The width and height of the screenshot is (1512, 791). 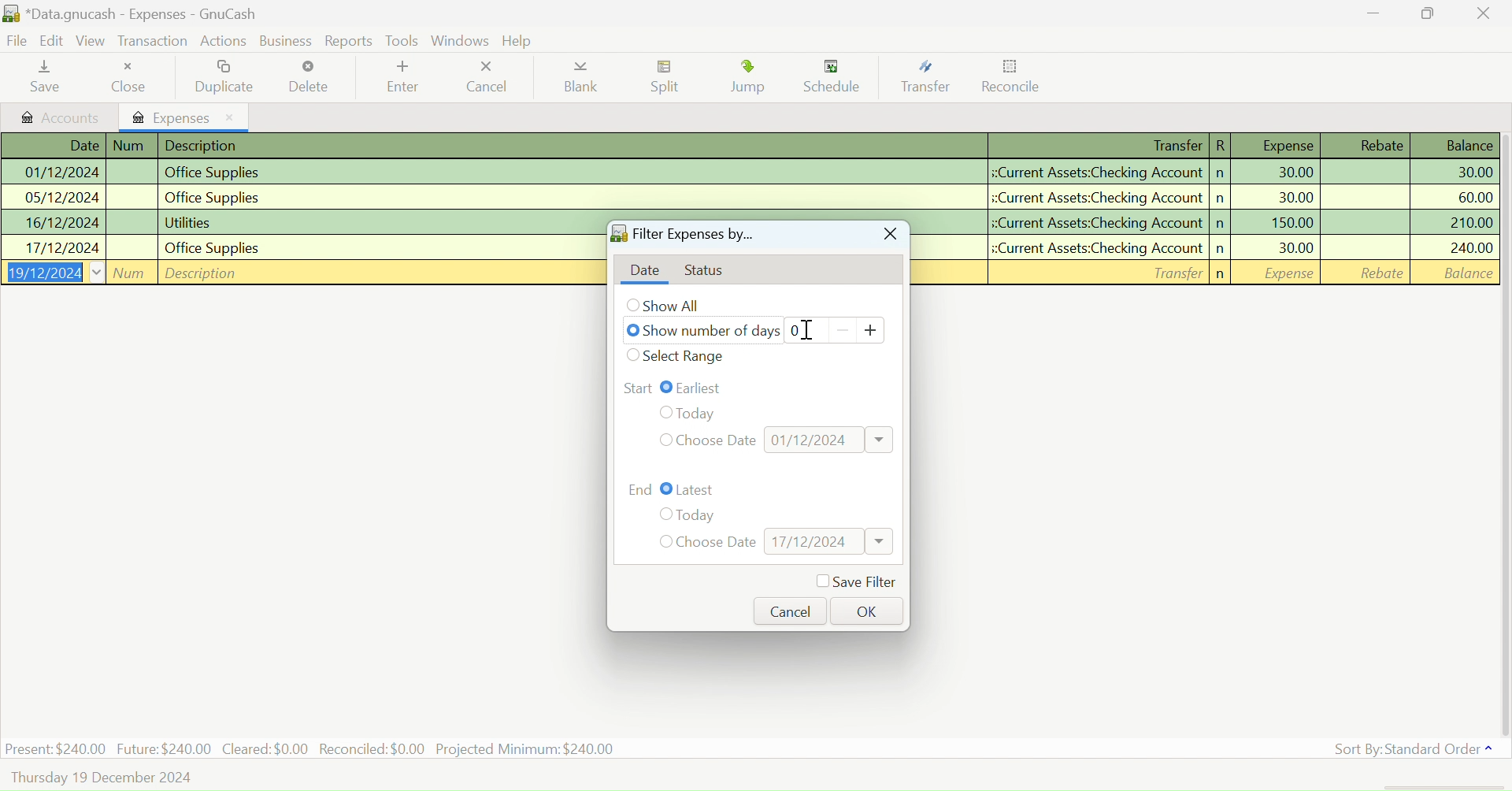 I want to click on Choose Date, so click(x=718, y=439).